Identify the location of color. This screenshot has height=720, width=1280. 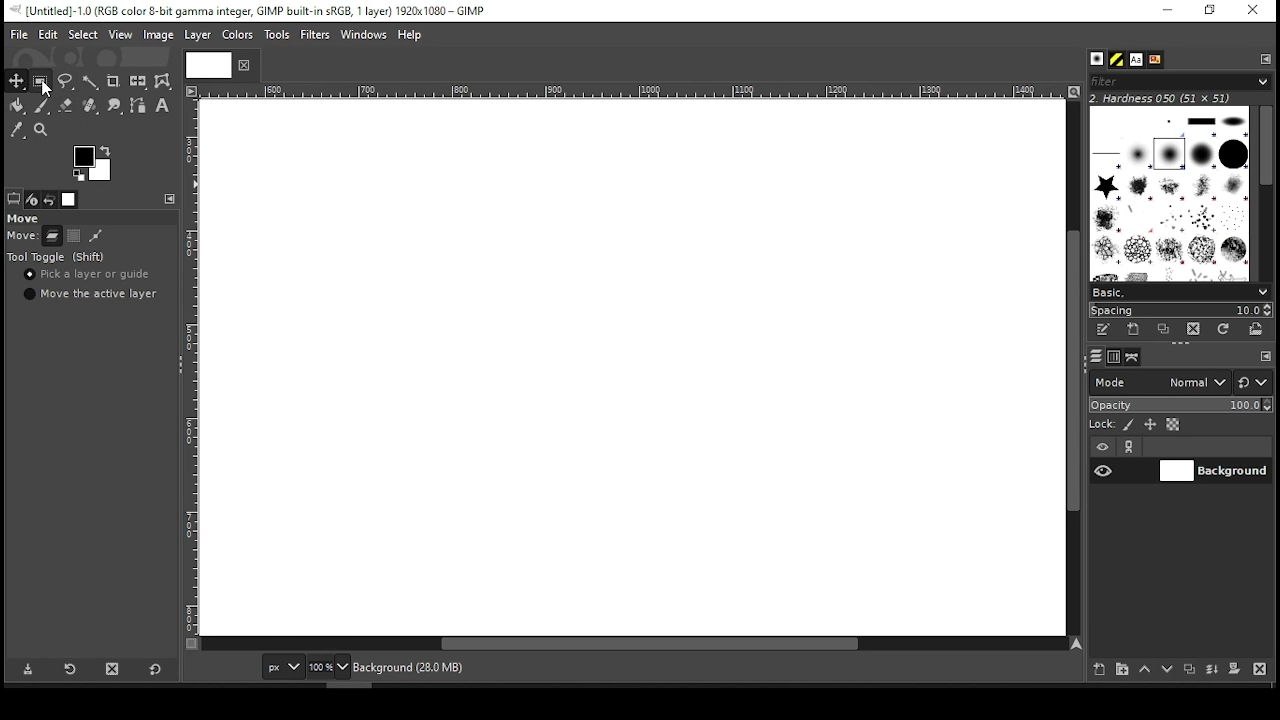
(238, 34).